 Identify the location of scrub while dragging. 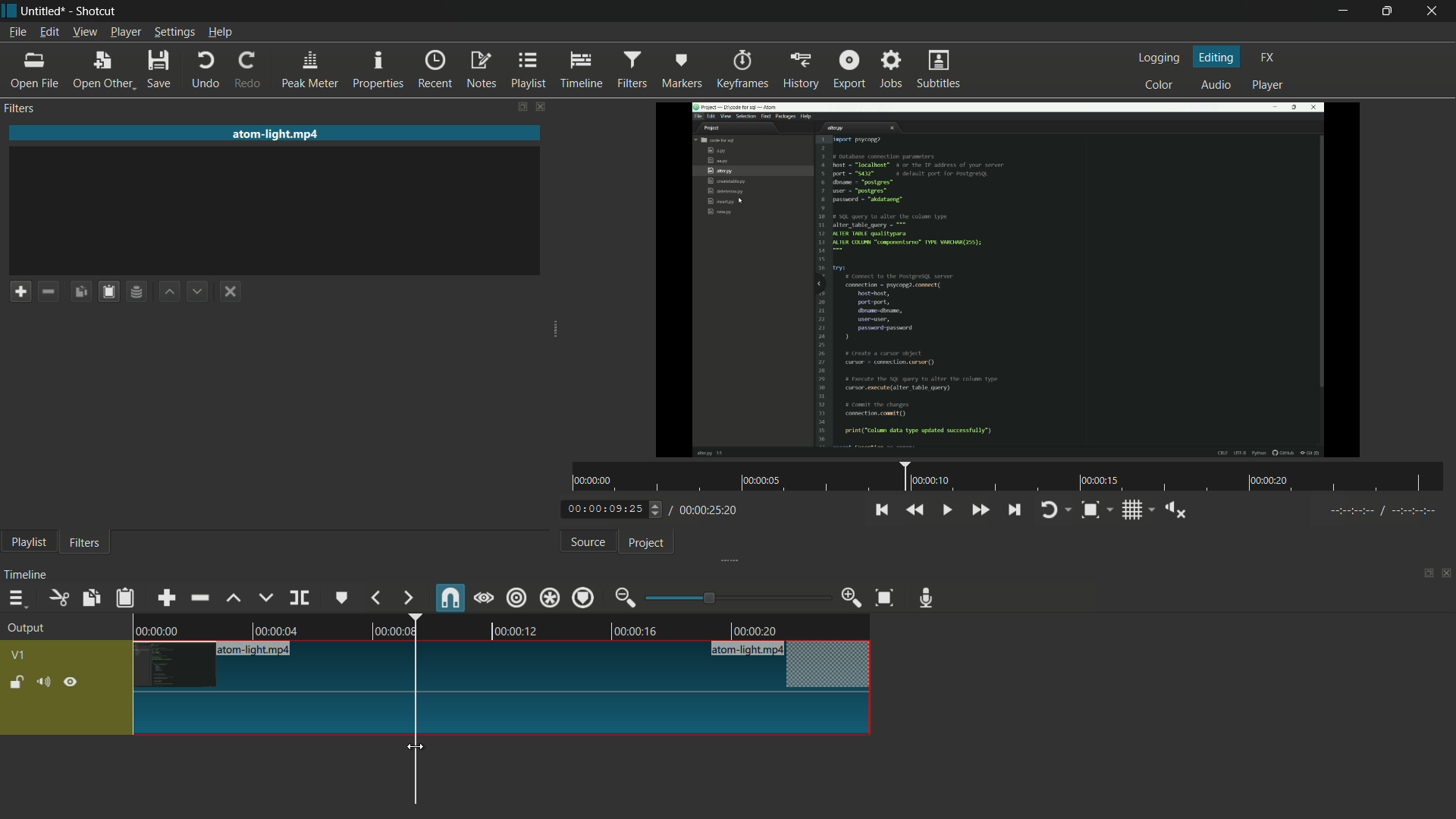
(484, 598).